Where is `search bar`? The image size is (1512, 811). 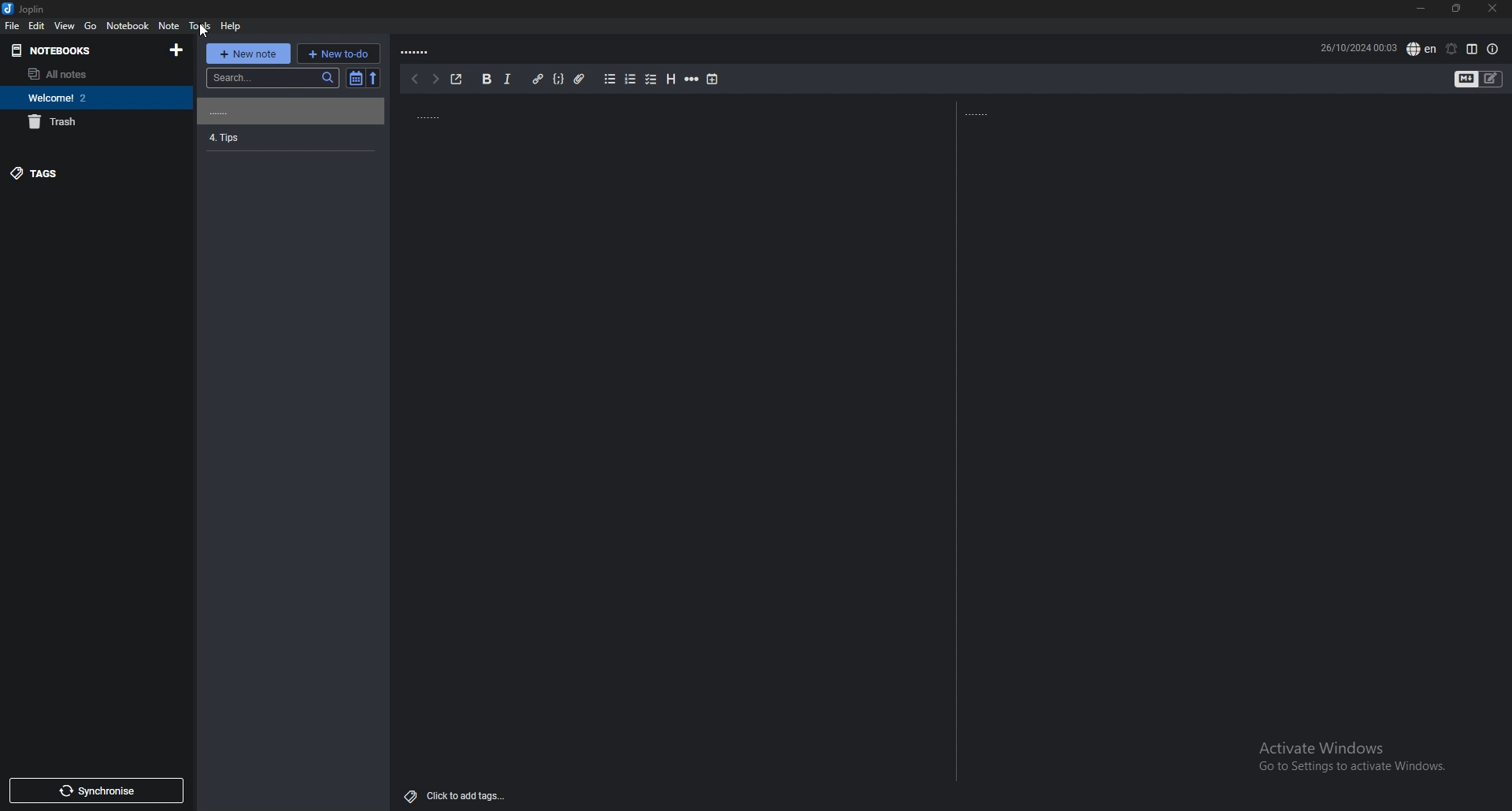
search bar is located at coordinates (272, 77).